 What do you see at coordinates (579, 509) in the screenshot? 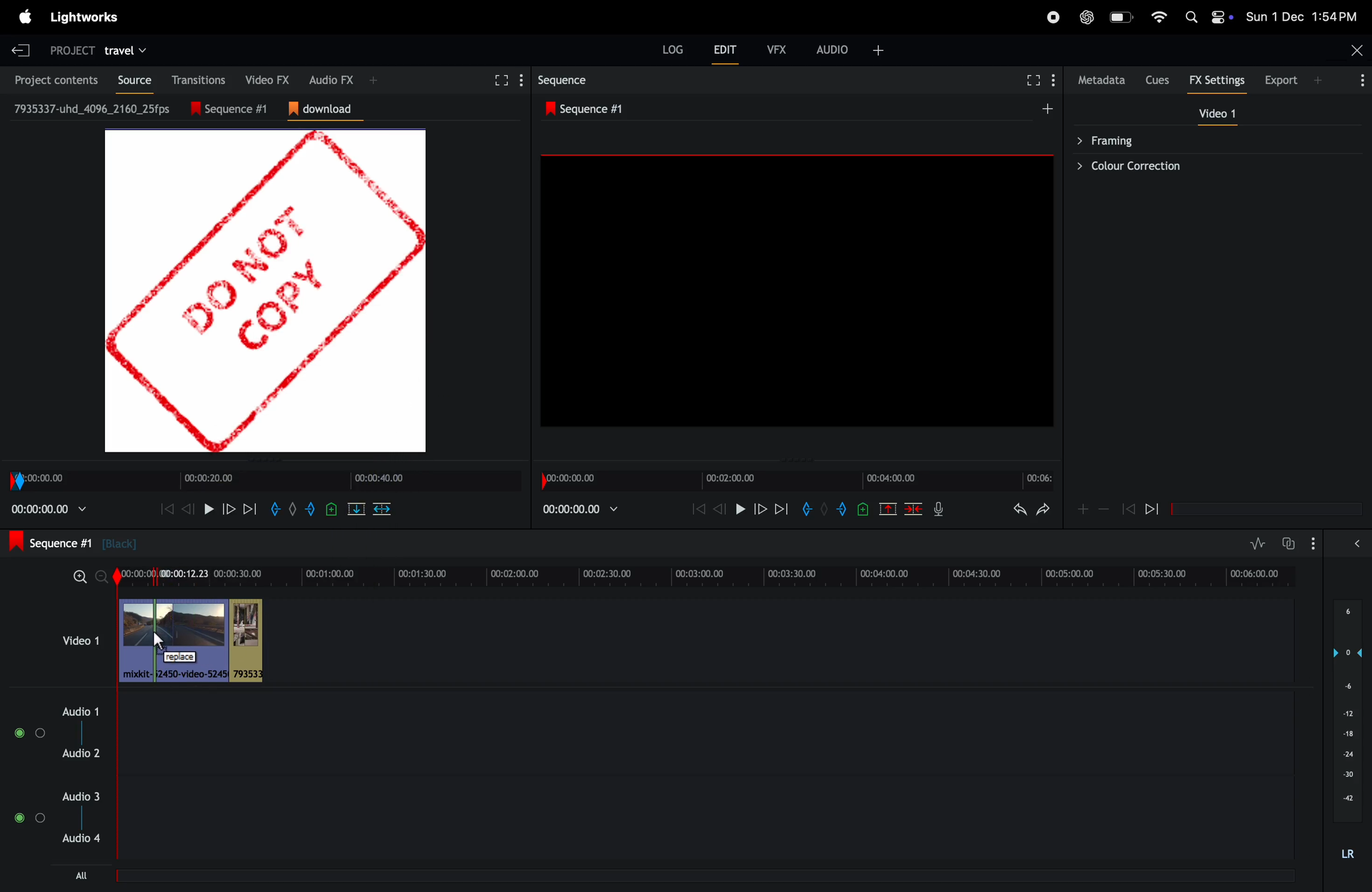
I see `playback time` at bounding box center [579, 509].